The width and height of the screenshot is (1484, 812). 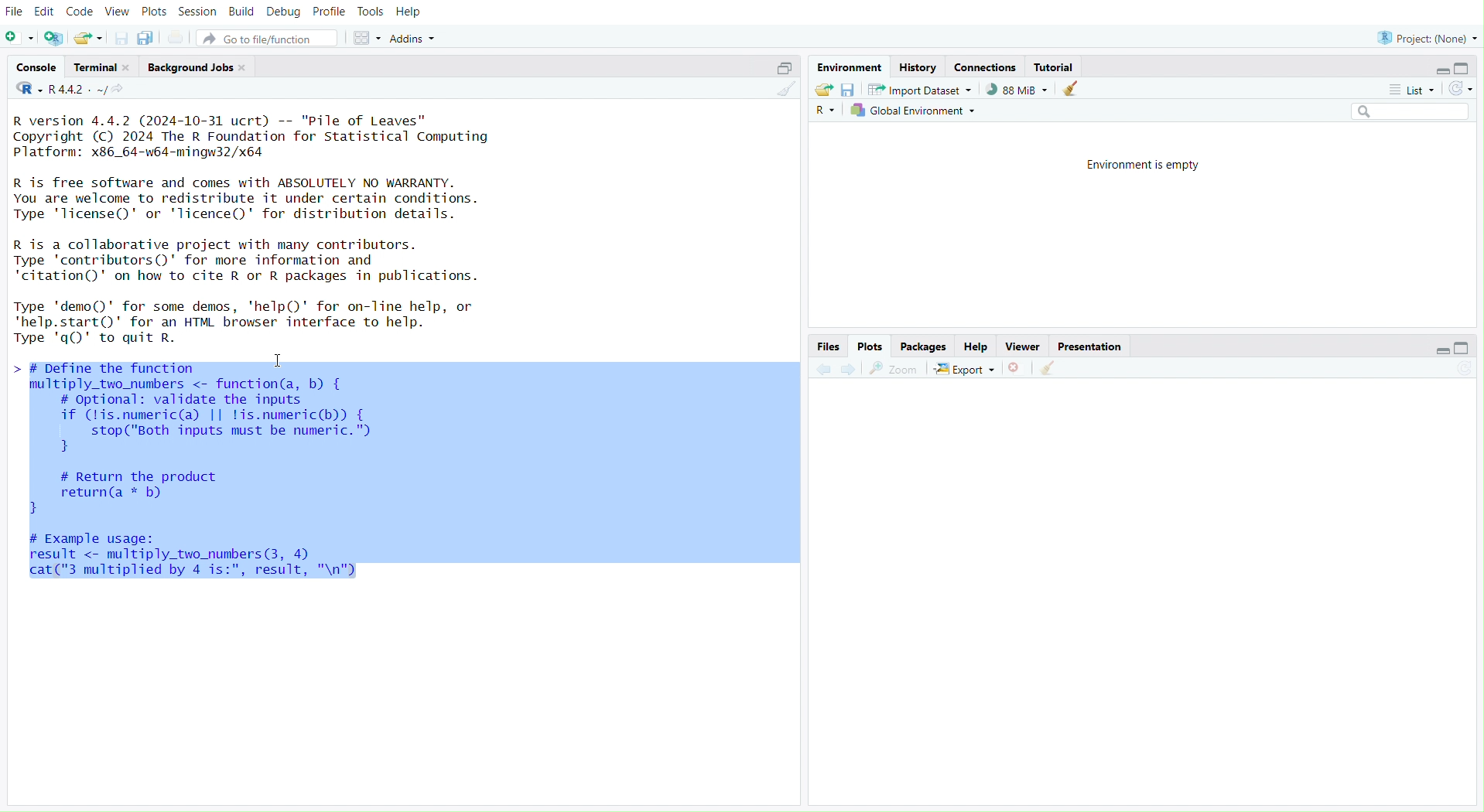 What do you see at coordinates (36, 69) in the screenshot?
I see `Console` at bounding box center [36, 69].